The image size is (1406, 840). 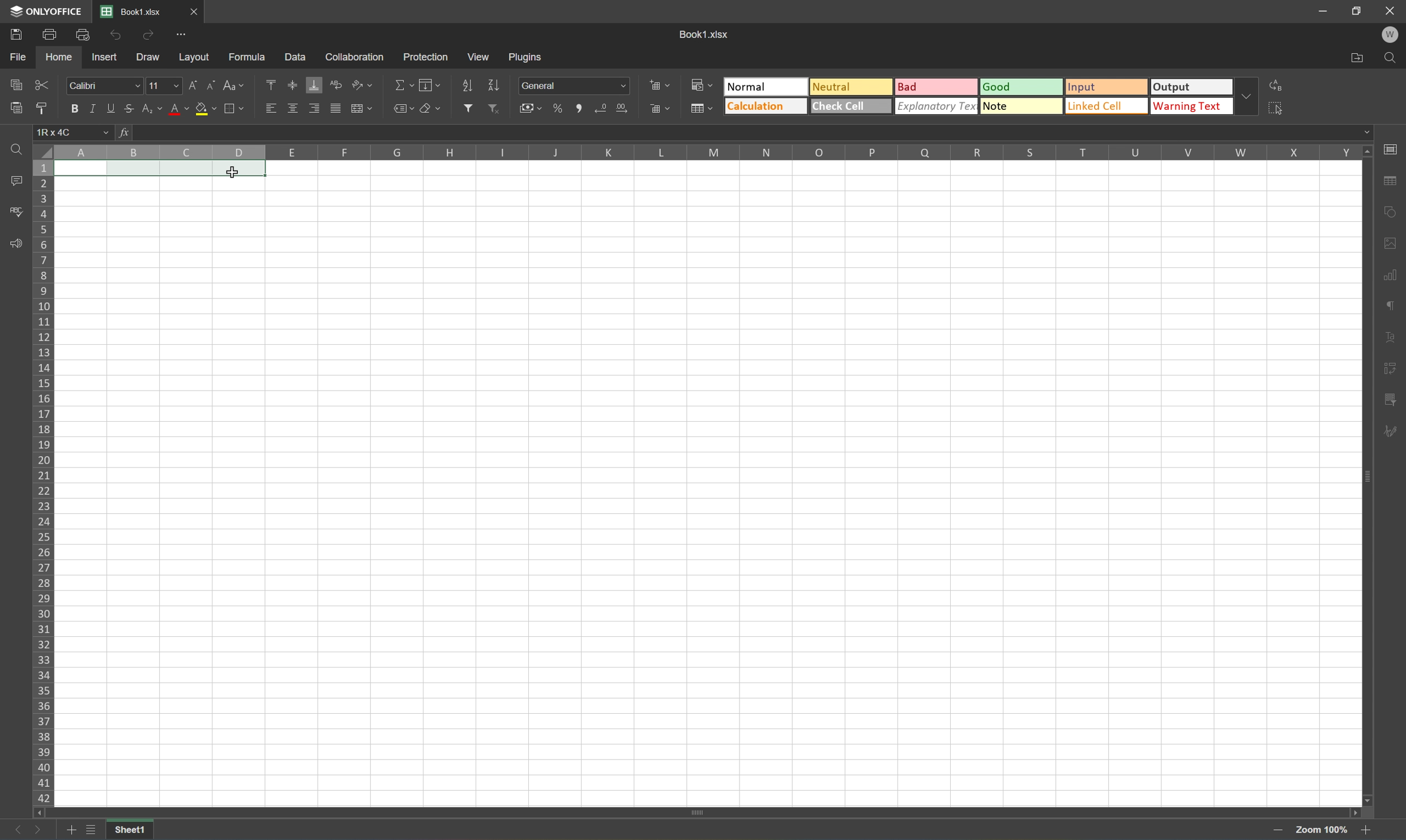 I want to click on Delete cells, so click(x=659, y=108).